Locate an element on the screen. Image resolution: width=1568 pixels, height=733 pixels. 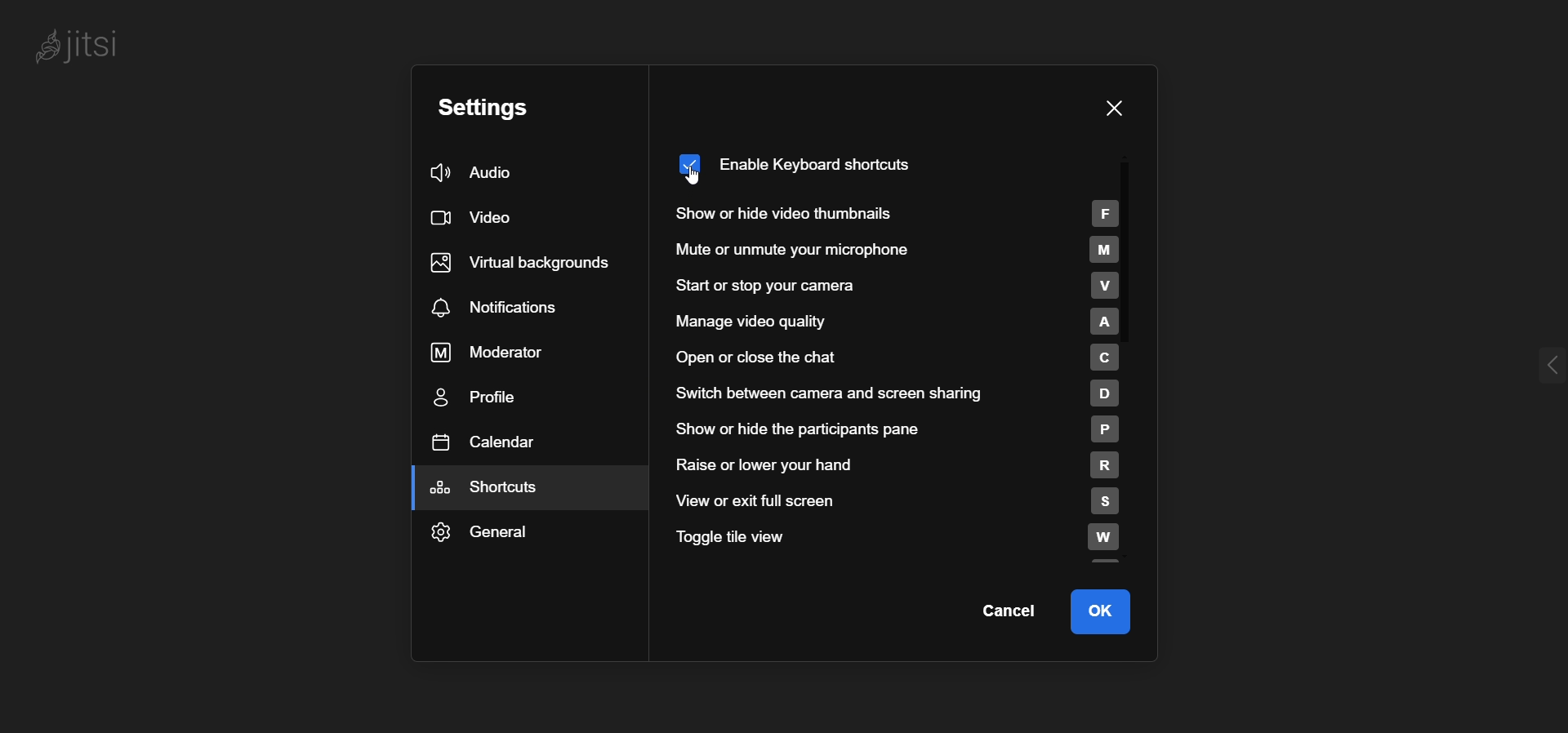
calendar is located at coordinates (488, 441).